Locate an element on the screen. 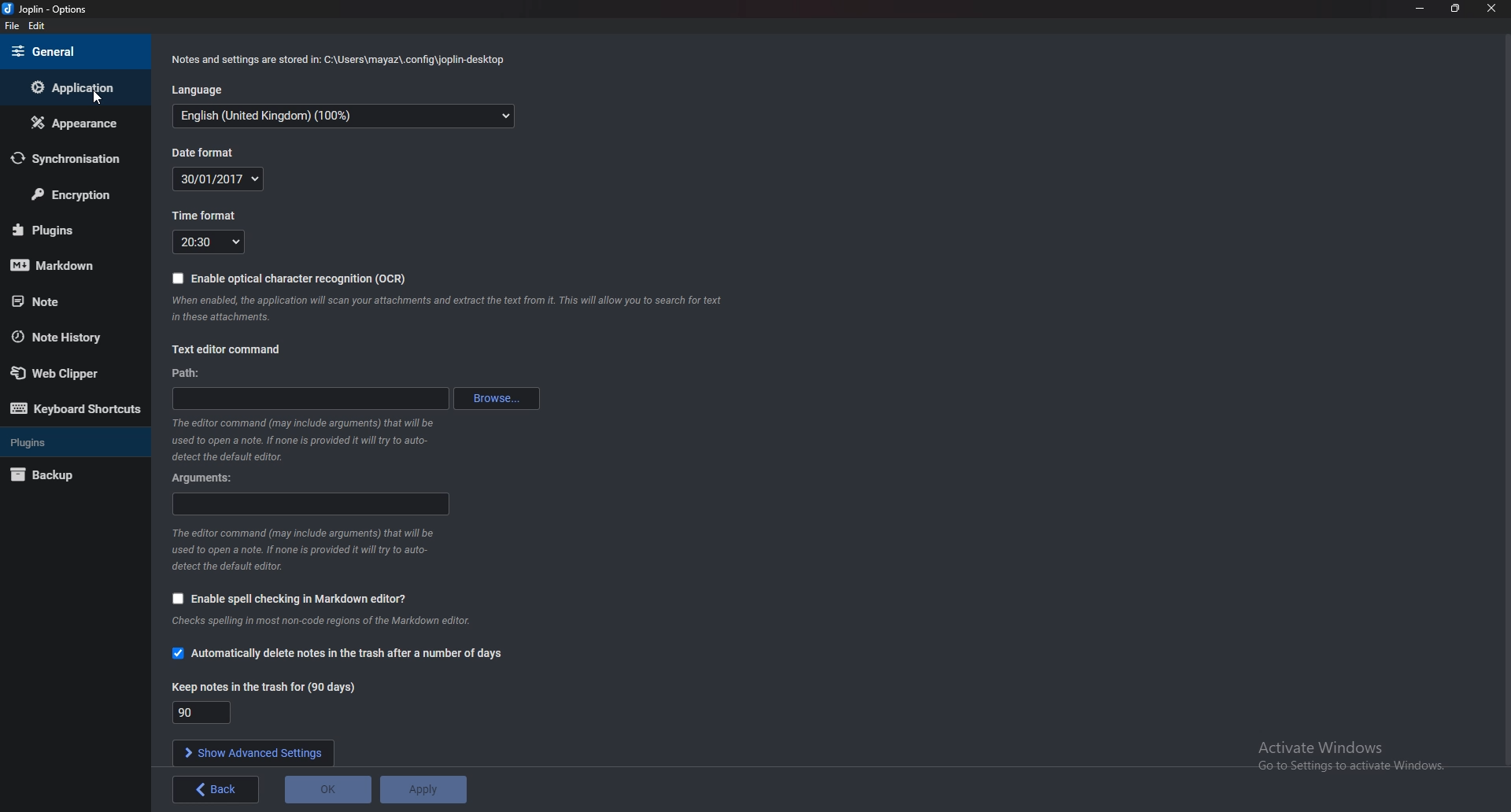  joplin is located at coordinates (54, 9).